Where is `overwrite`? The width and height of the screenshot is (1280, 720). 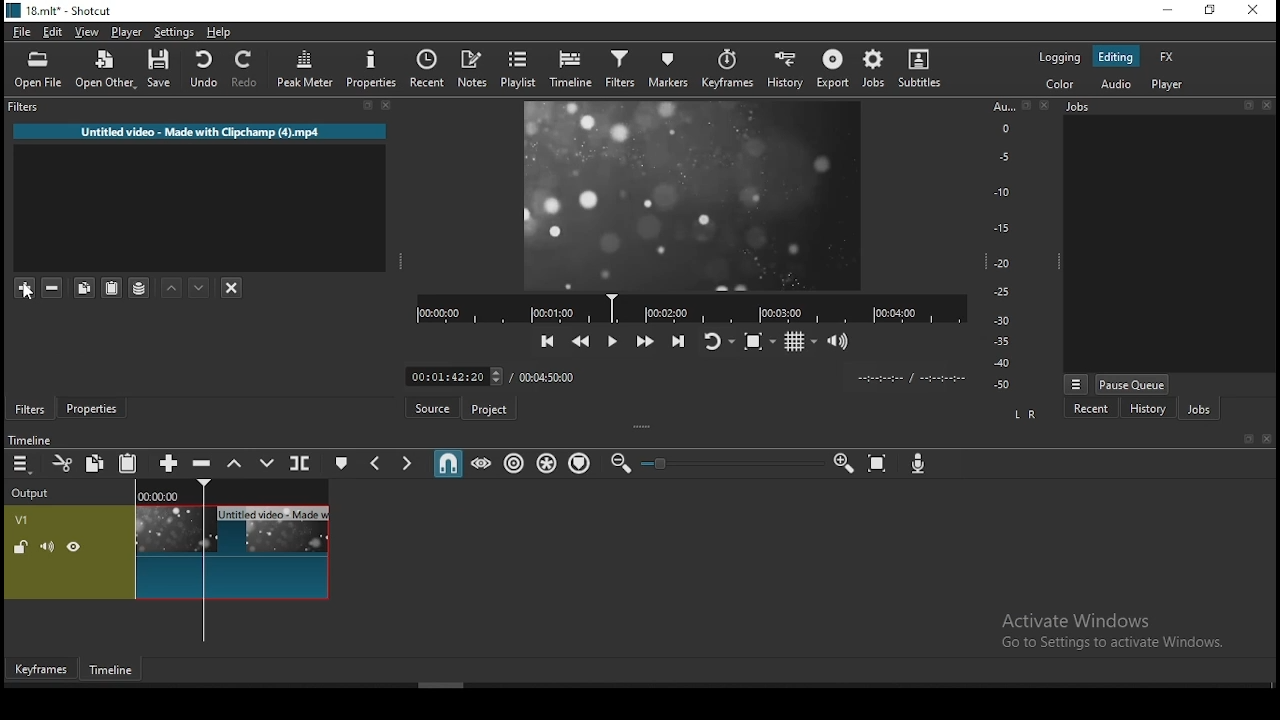
overwrite is located at coordinates (266, 462).